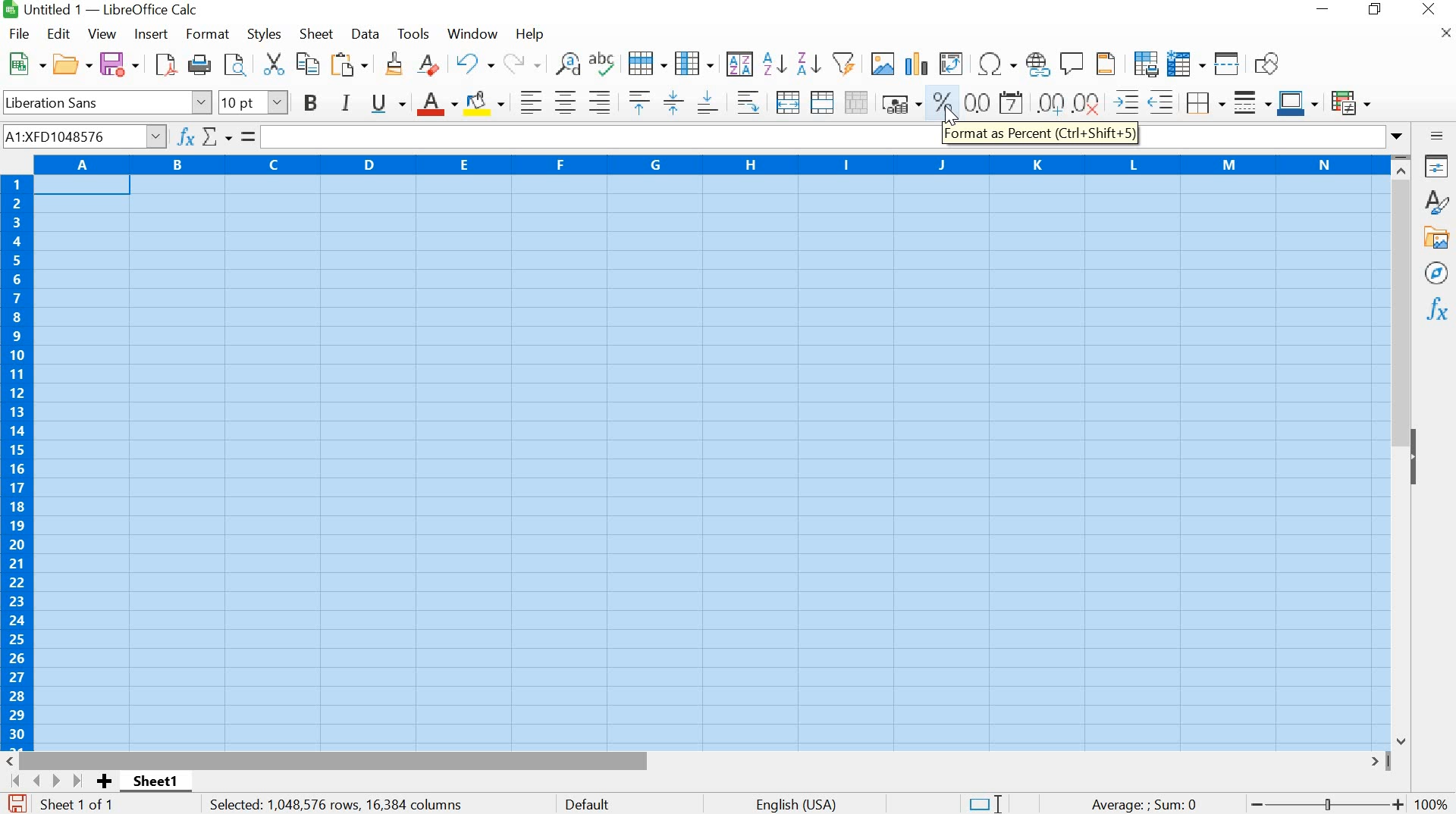 The image size is (1456, 814). What do you see at coordinates (1354, 104) in the screenshot?
I see `Conditional` at bounding box center [1354, 104].